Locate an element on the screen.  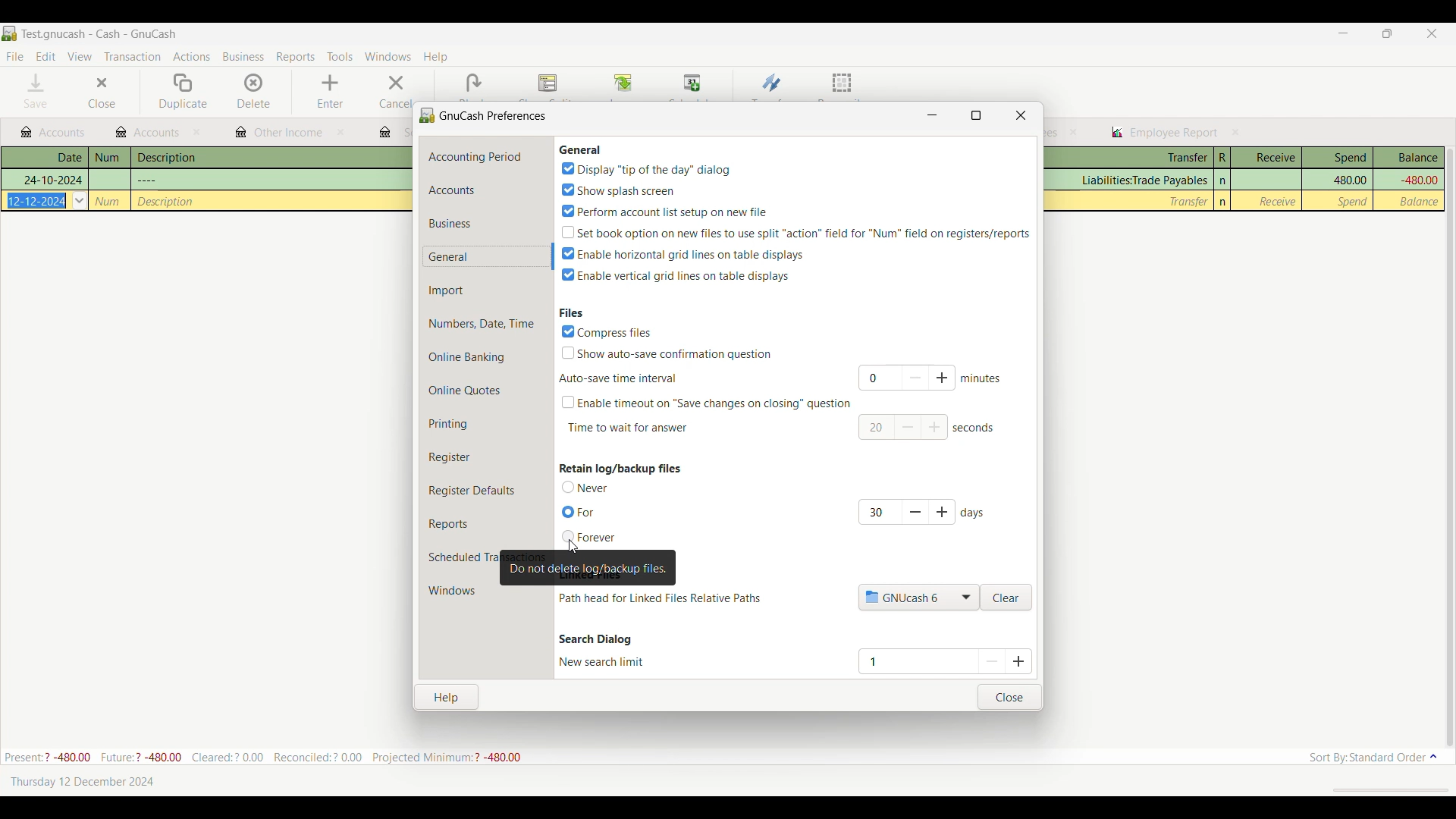
Spend column is located at coordinates (1338, 158).